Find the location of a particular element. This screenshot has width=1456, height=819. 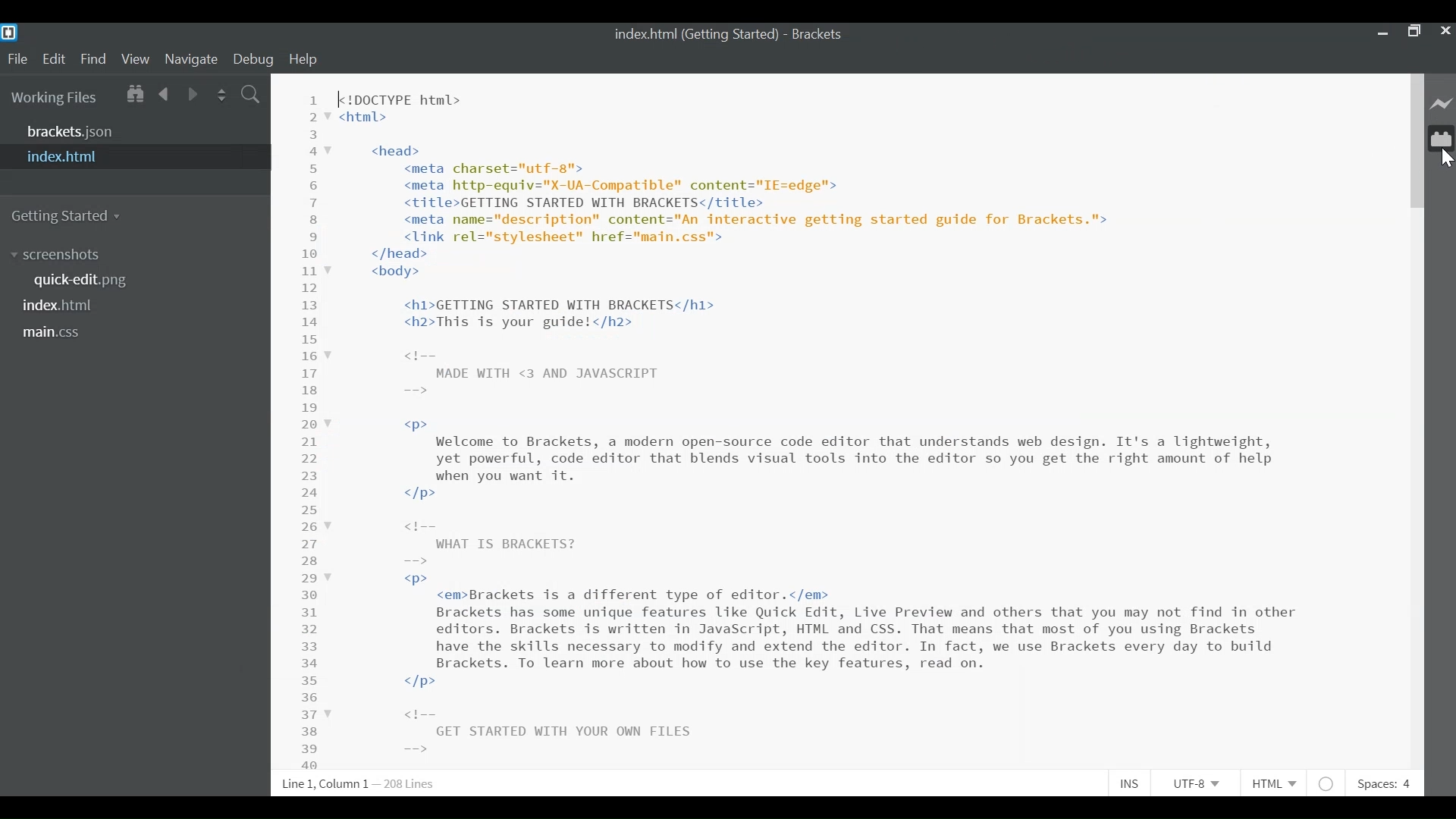

Working Files is located at coordinates (54, 96).